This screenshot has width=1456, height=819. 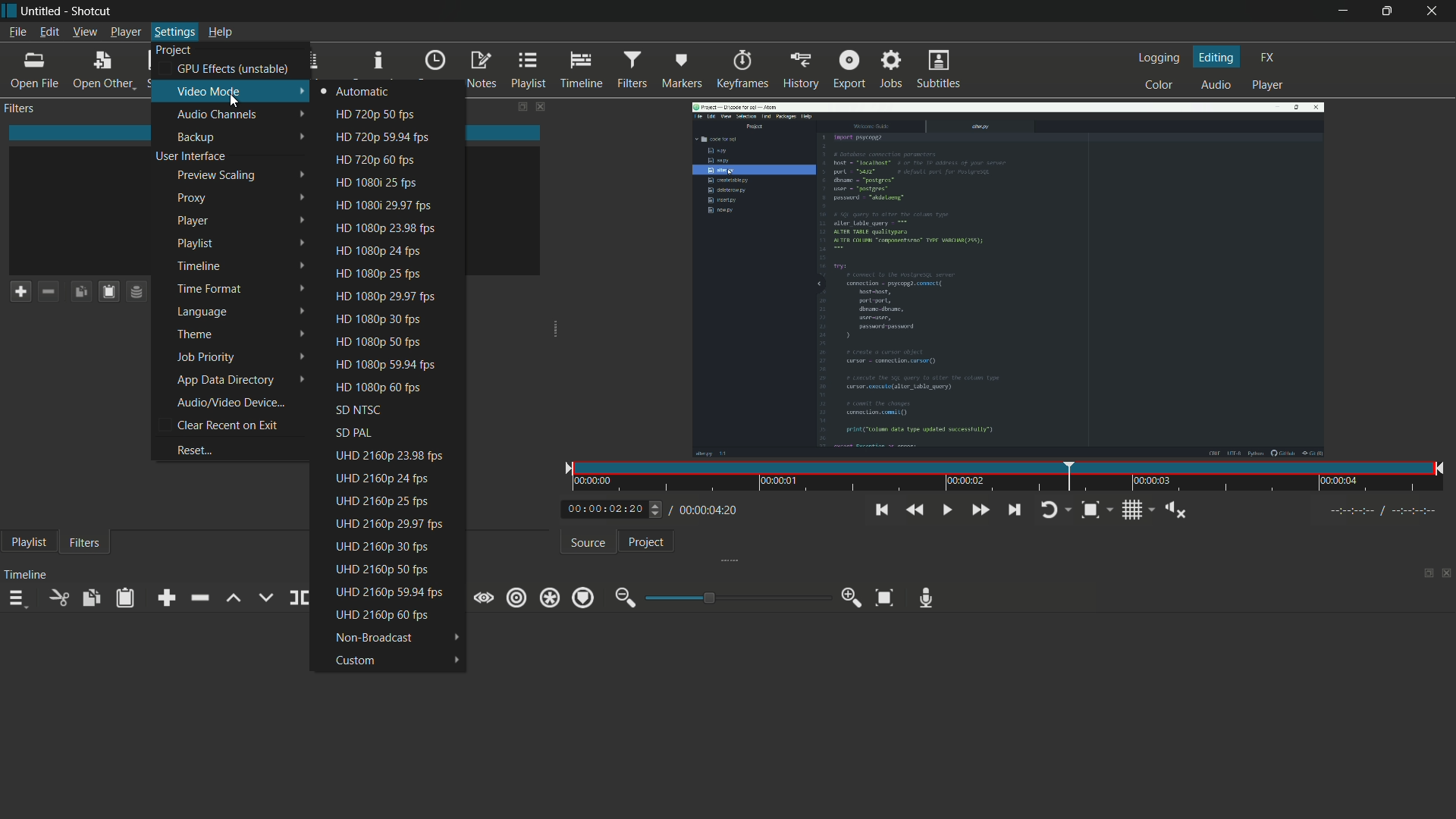 I want to click on player, so click(x=240, y=221).